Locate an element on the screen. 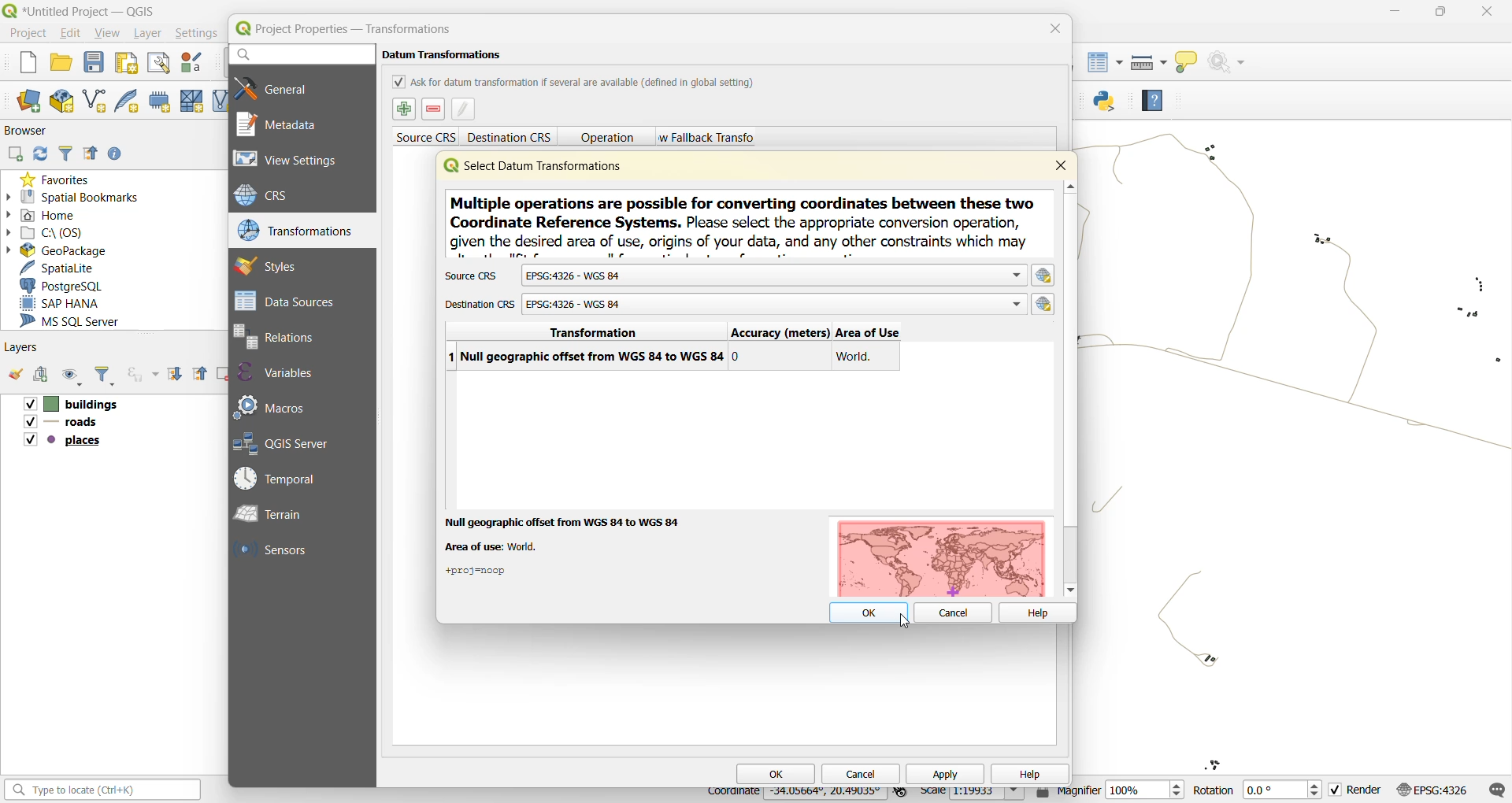 The width and height of the screenshot is (1512, 803). magnifier is located at coordinates (1110, 794).